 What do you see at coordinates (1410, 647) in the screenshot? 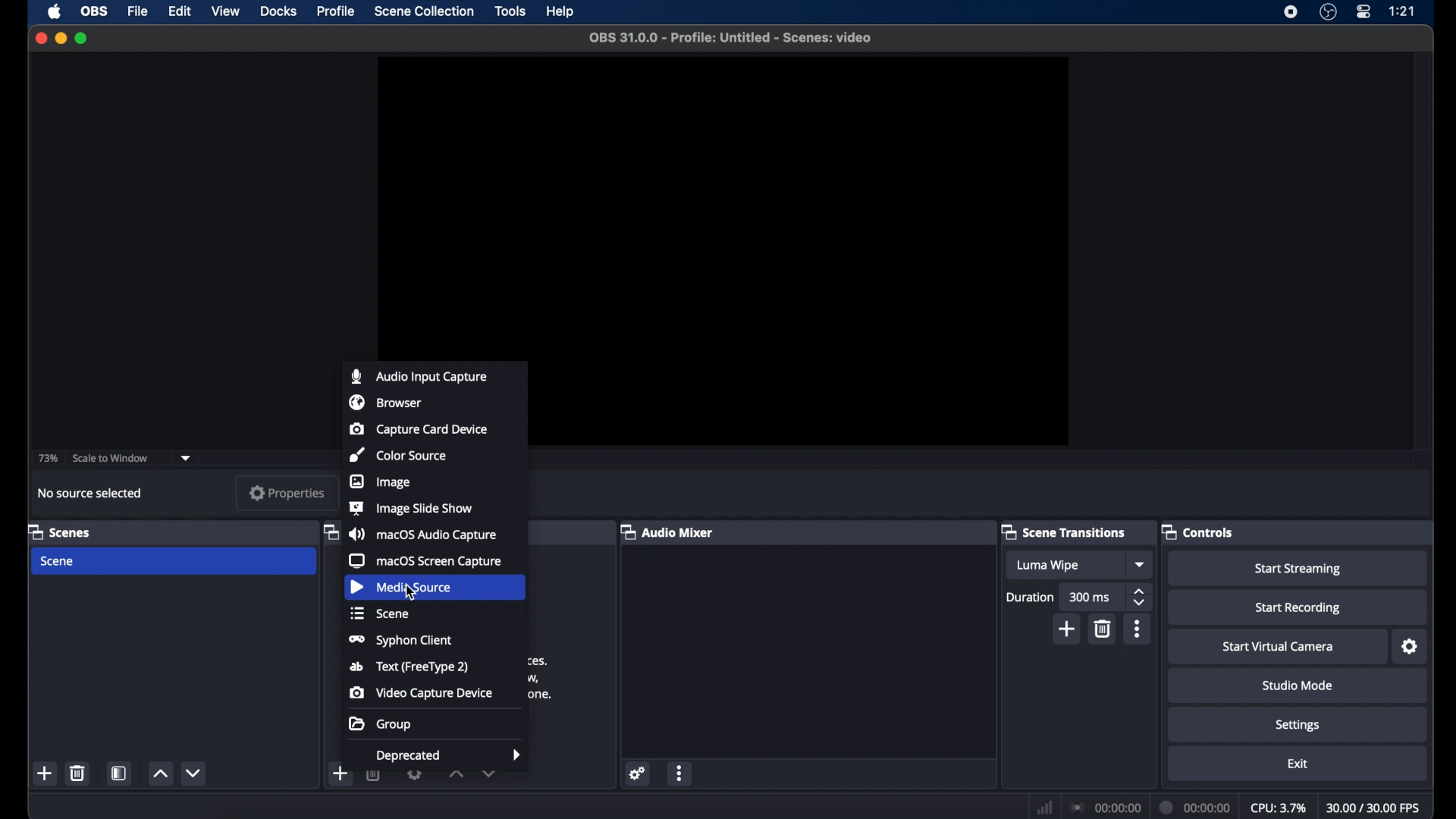
I see `settings` at bounding box center [1410, 647].